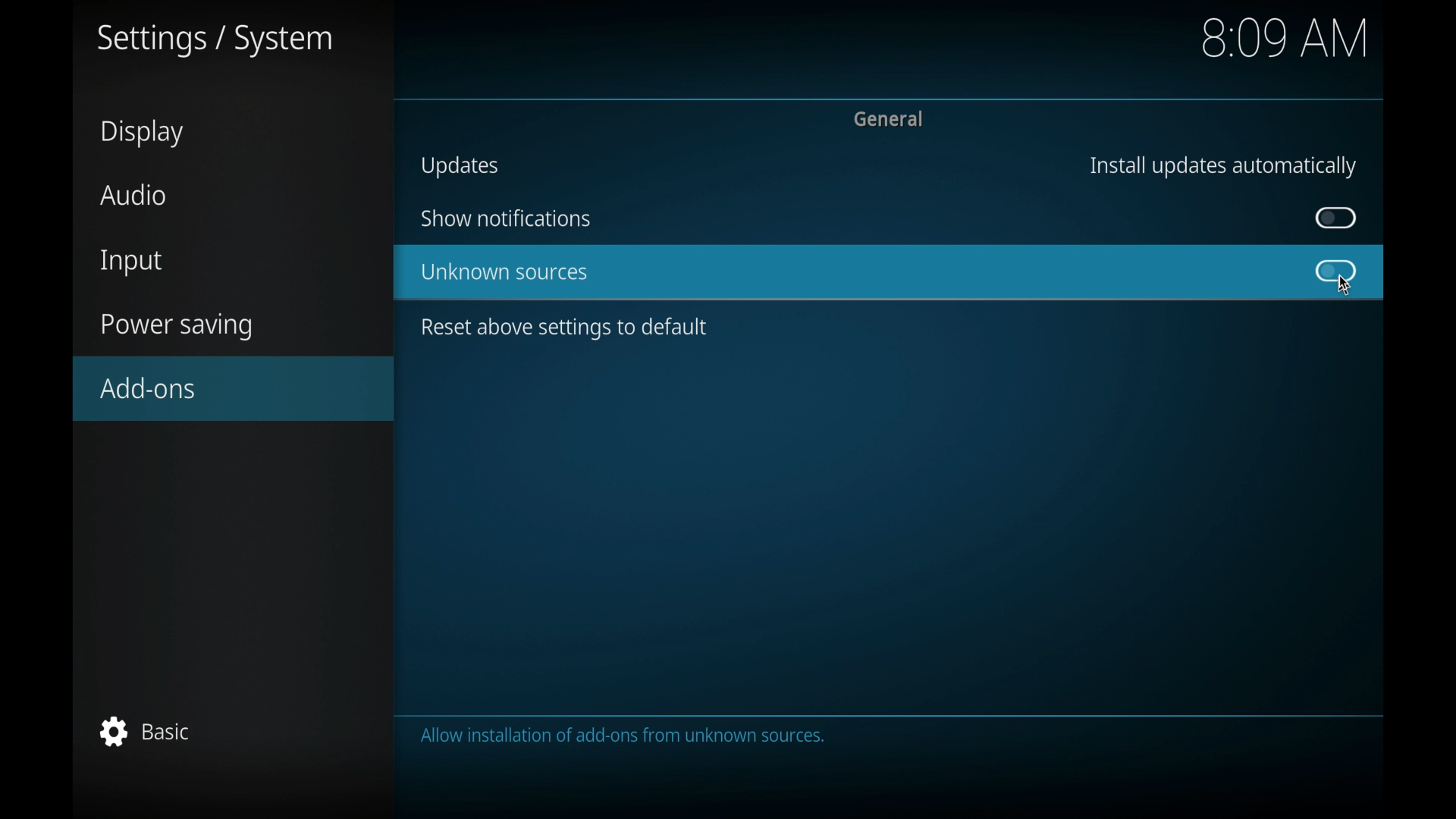  Describe the element at coordinates (505, 273) in the screenshot. I see `unknown sources` at that location.